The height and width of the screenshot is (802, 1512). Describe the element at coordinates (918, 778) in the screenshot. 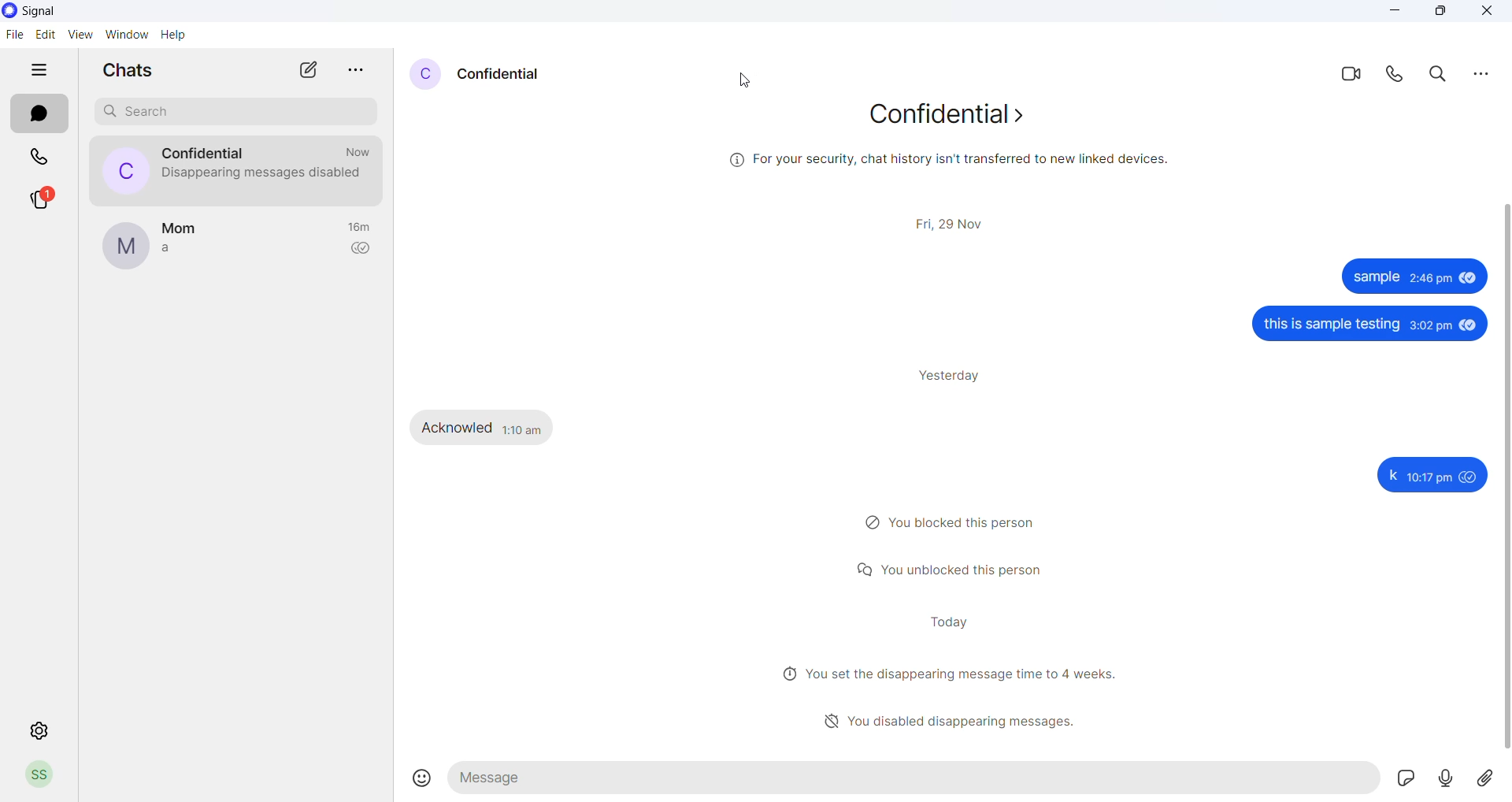

I see `message text area` at that location.